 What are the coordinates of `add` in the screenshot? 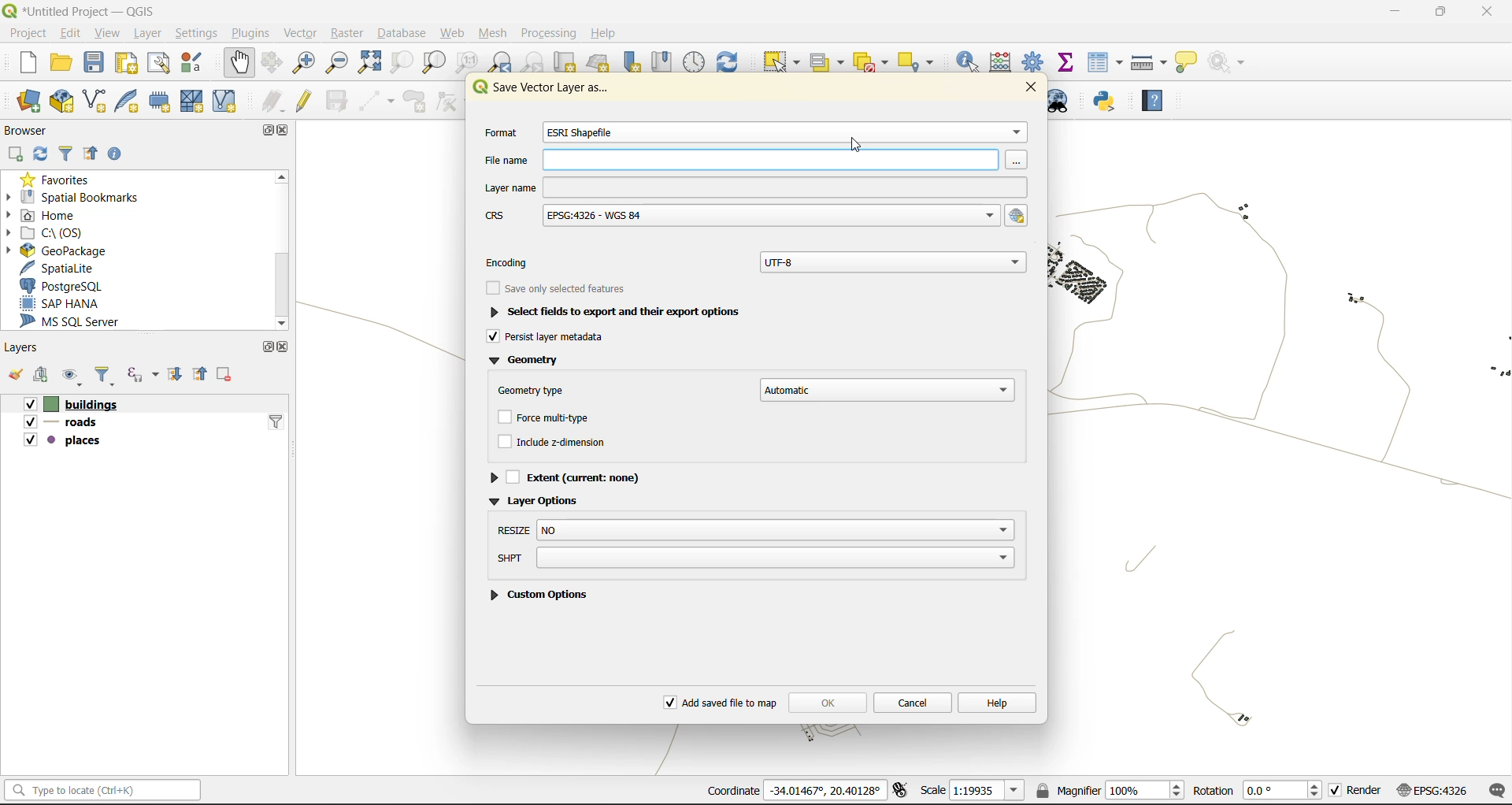 It's located at (18, 152).